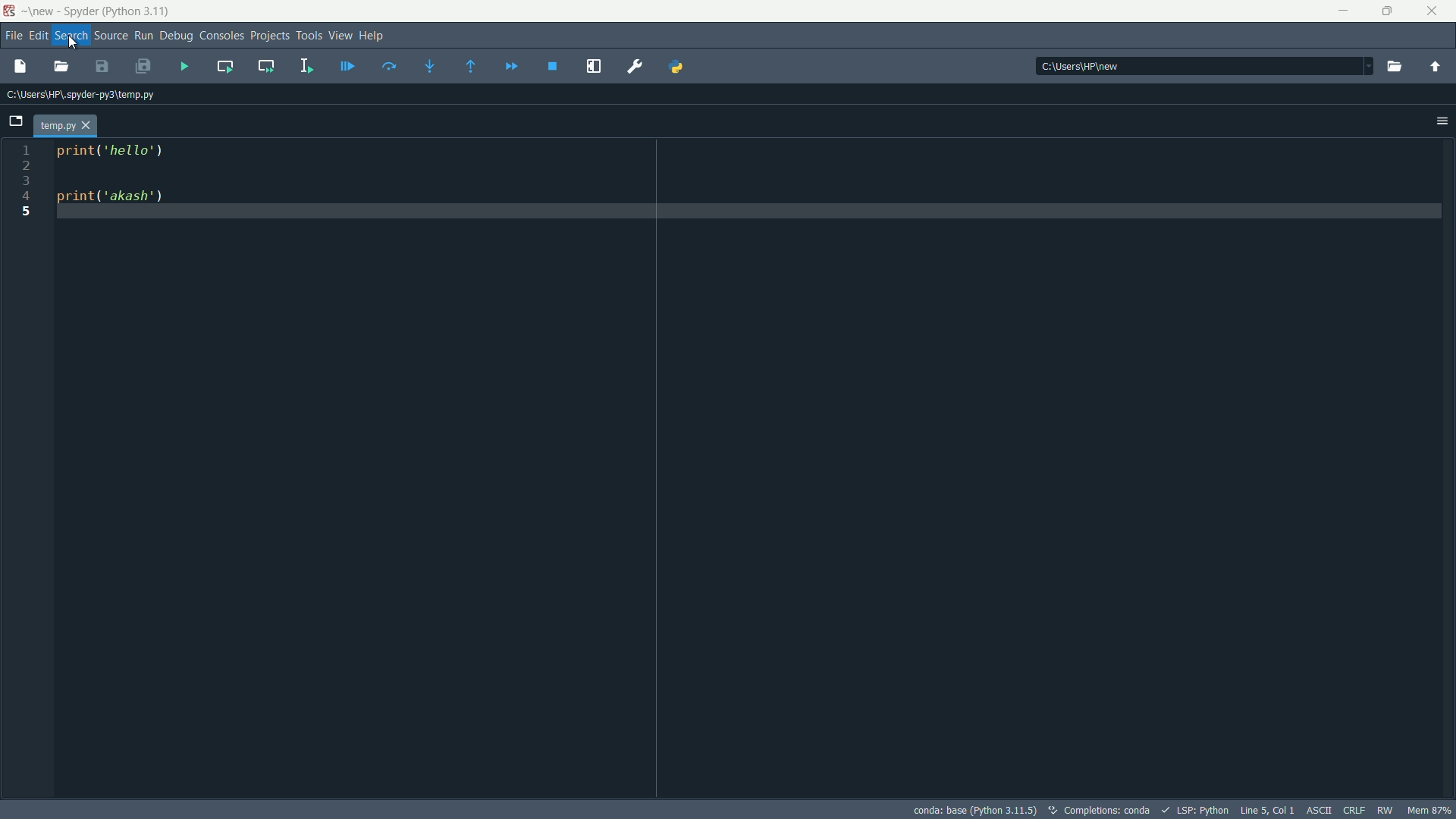  Describe the element at coordinates (973, 810) in the screenshot. I see `interpreter` at that location.